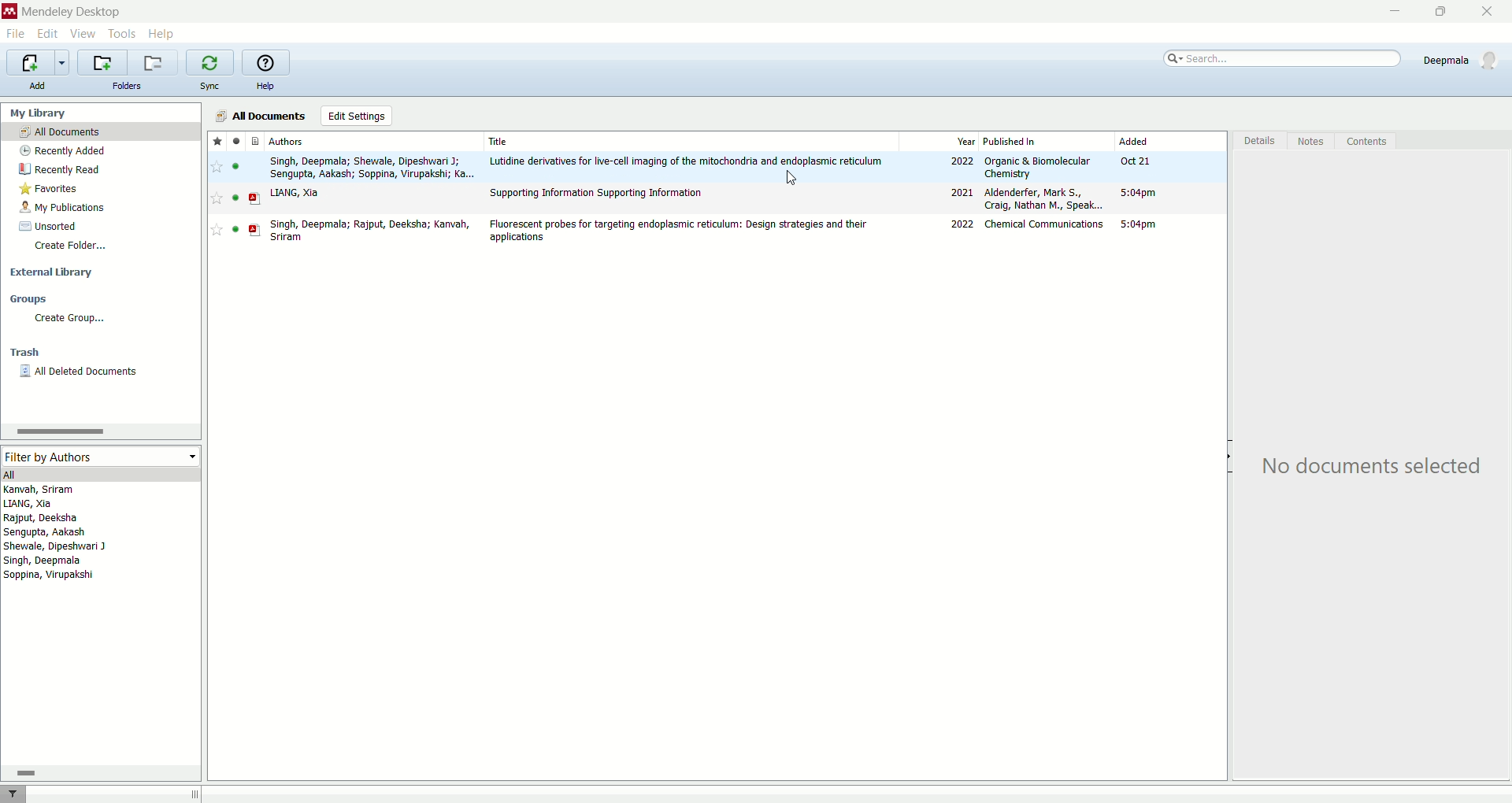 The image size is (1512, 803). Describe the element at coordinates (101, 62) in the screenshot. I see `create a new folder` at that location.